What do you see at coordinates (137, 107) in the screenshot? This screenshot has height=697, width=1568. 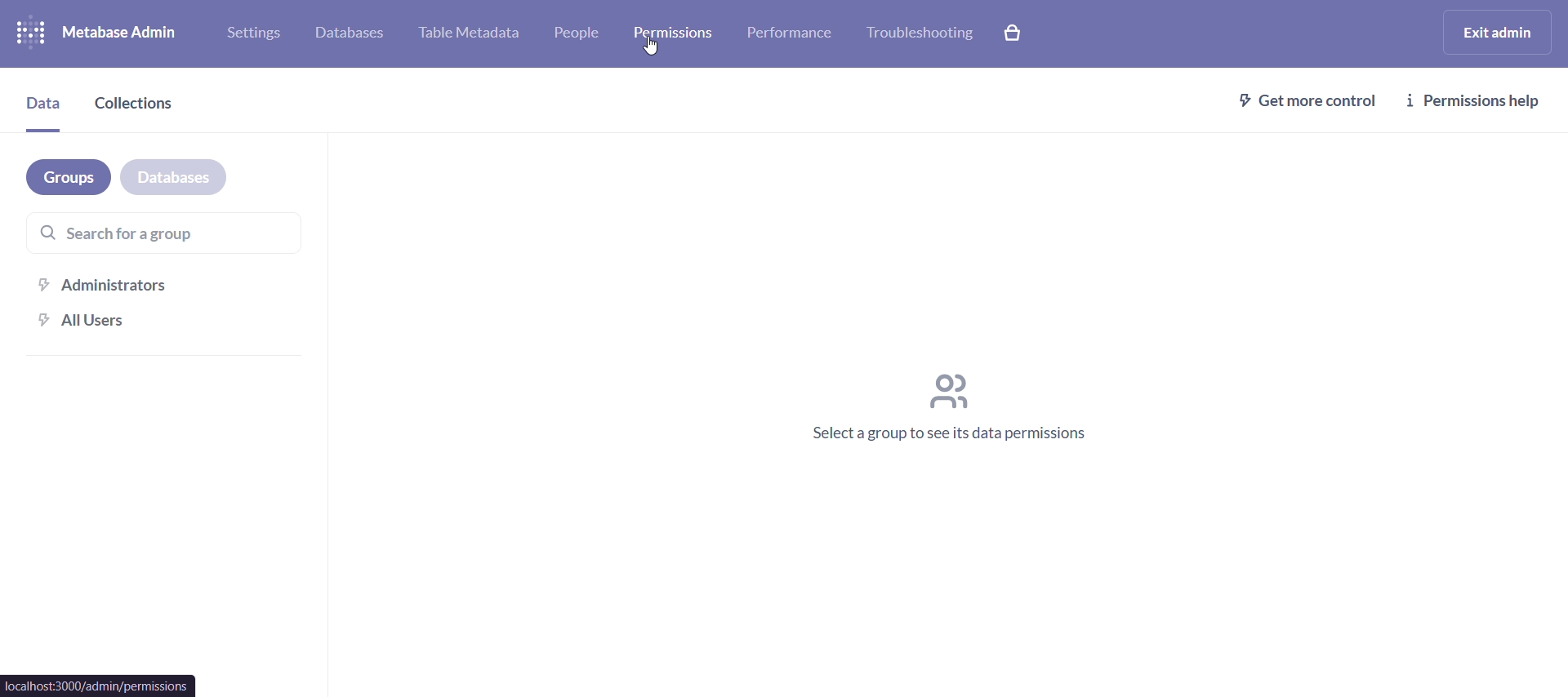 I see `collections` at bounding box center [137, 107].